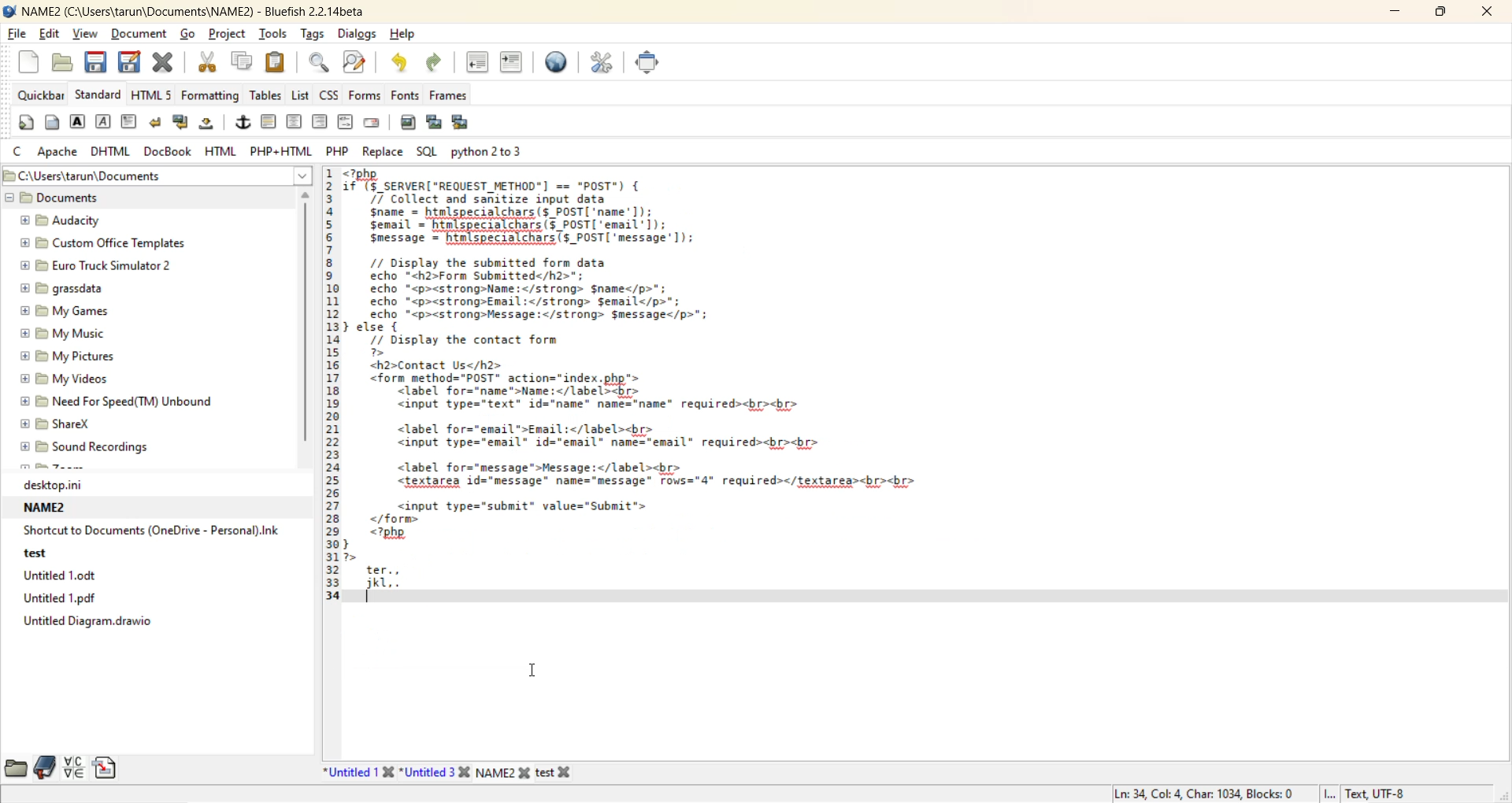  I want to click on right justify, so click(319, 121).